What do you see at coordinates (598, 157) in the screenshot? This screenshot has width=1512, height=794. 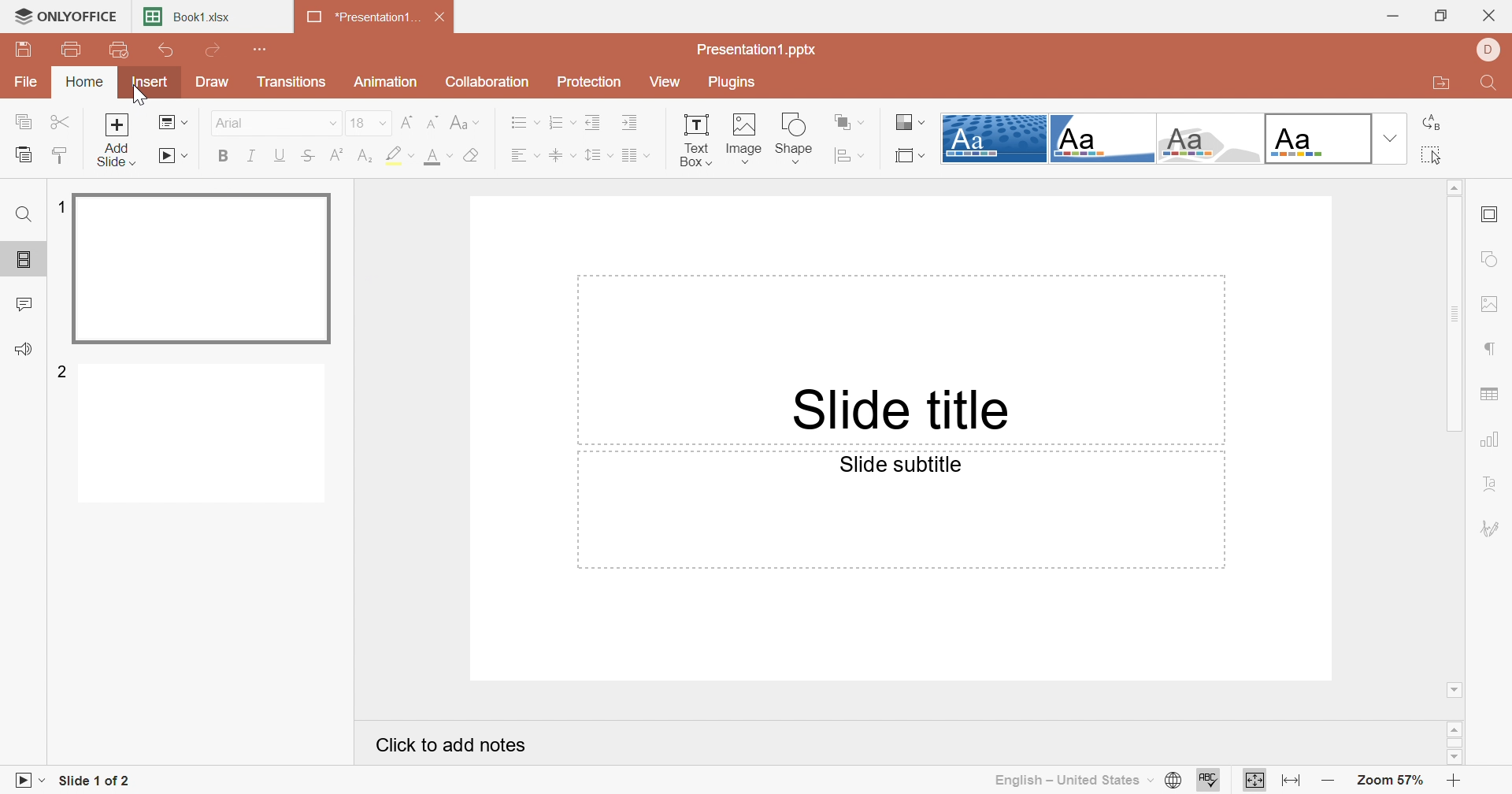 I see `Line spacing` at bounding box center [598, 157].